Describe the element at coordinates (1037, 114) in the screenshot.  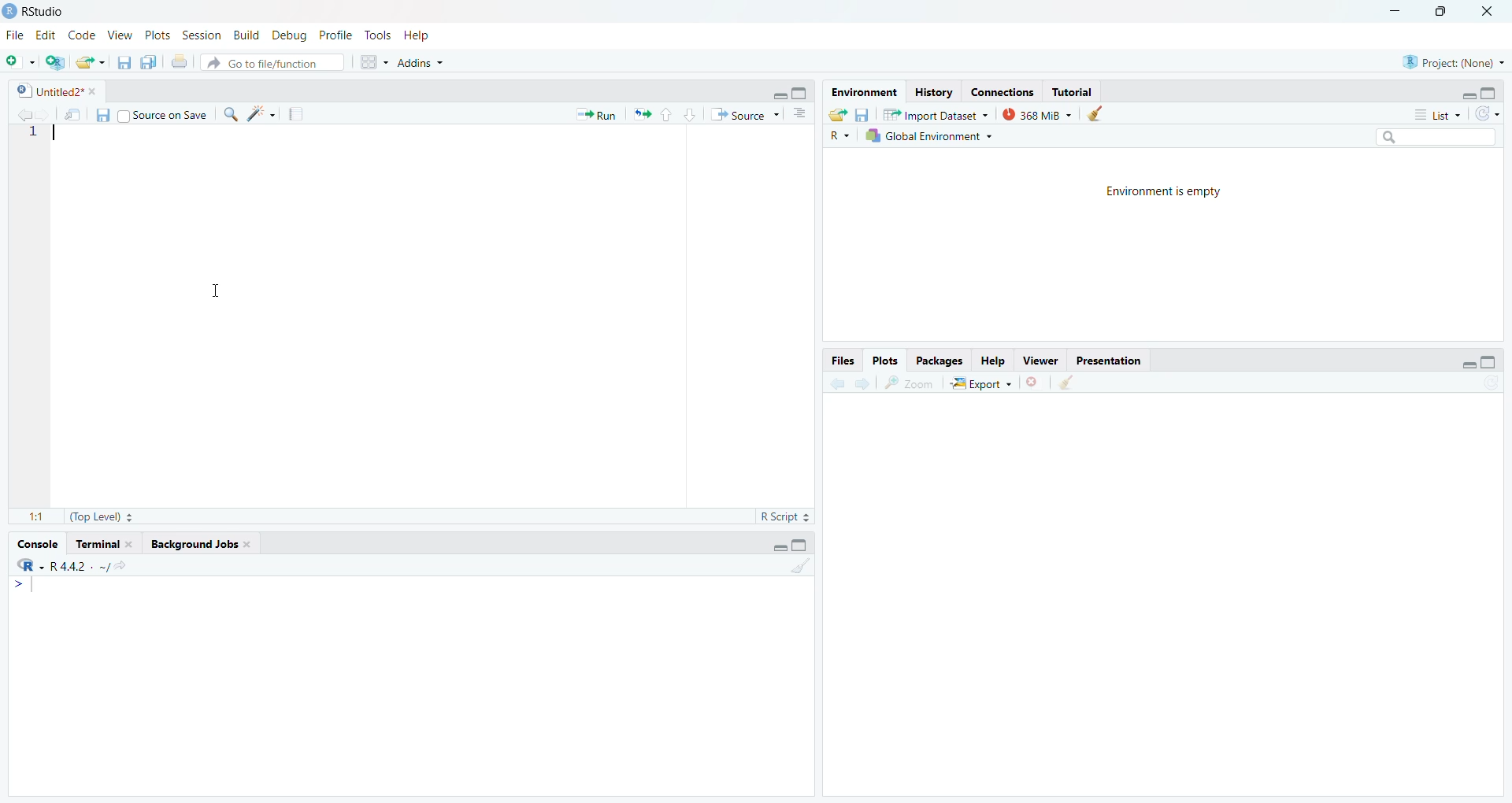
I see `368 MiB ~` at that location.